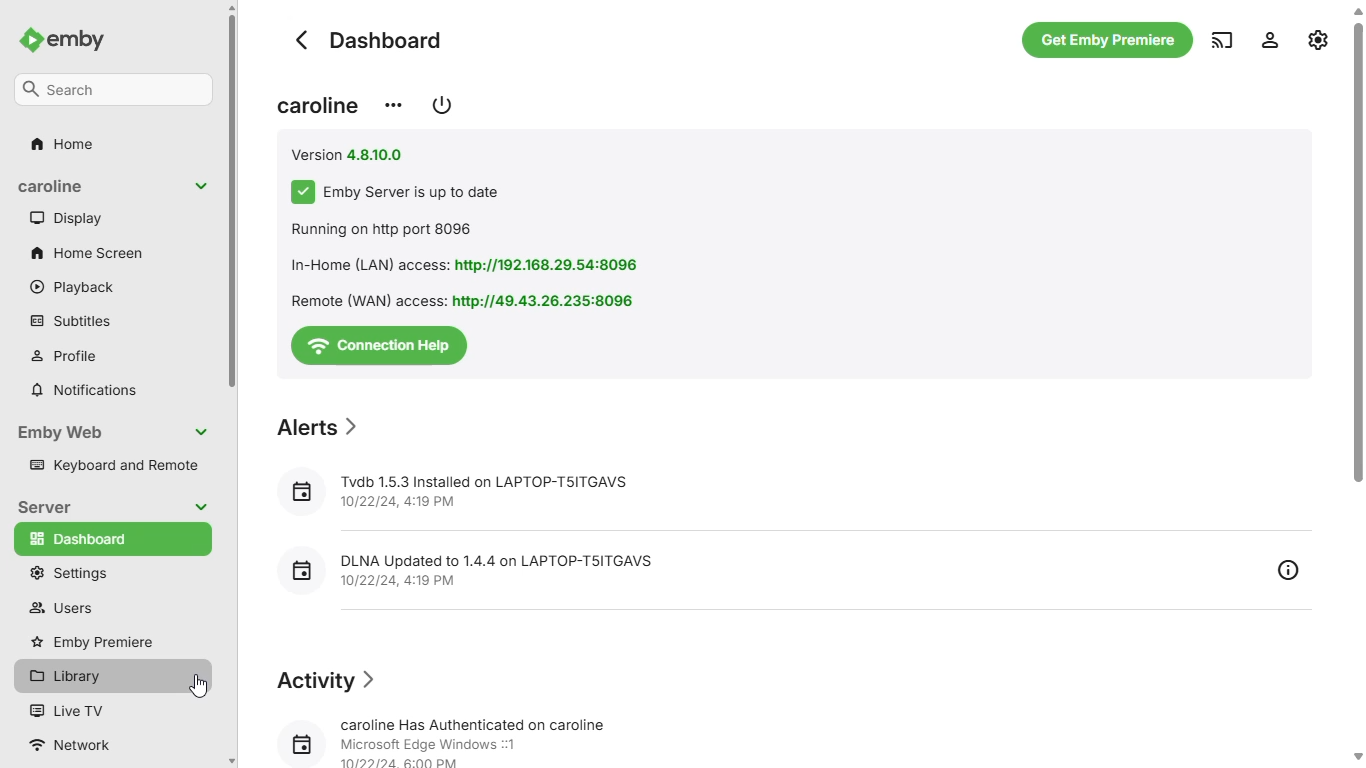 This screenshot has width=1366, height=768. What do you see at coordinates (356, 154) in the screenshot?
I see `version 4.8.10.0` at bounding box center [356, 154].